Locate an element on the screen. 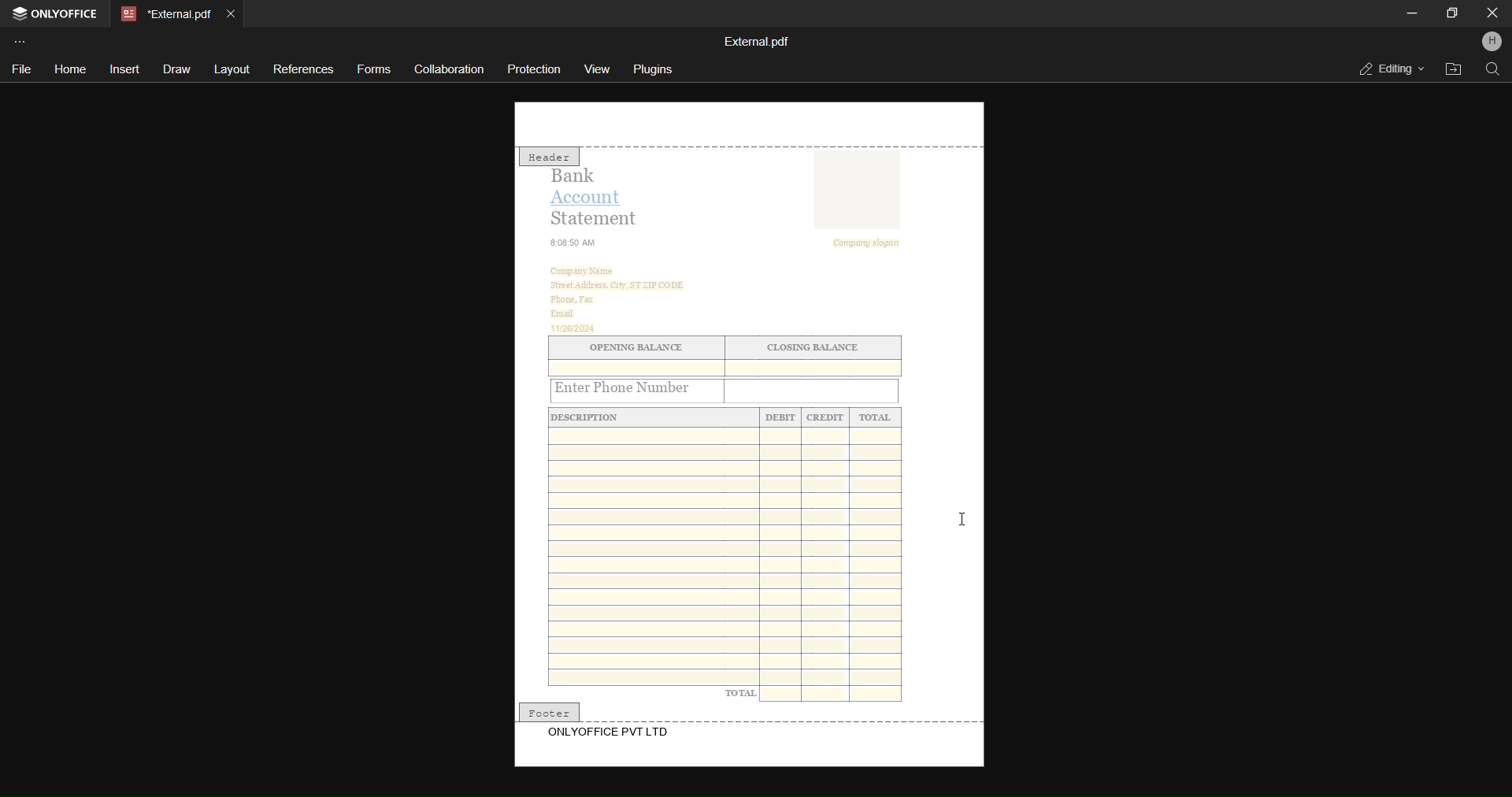  close current open tab is located at coordinates (235, 11).